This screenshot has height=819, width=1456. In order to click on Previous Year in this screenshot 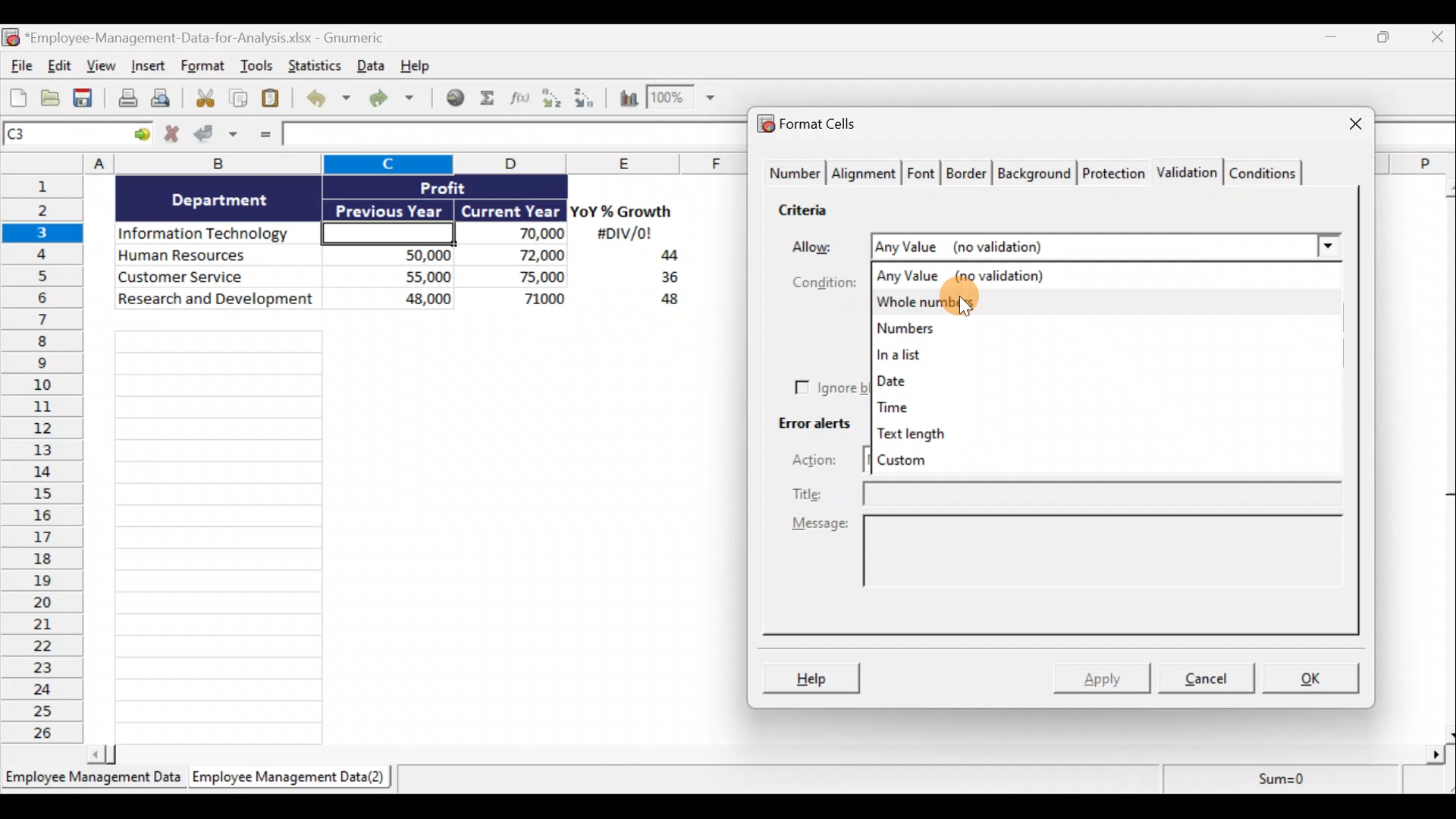, I will do `click(390, 208)`.